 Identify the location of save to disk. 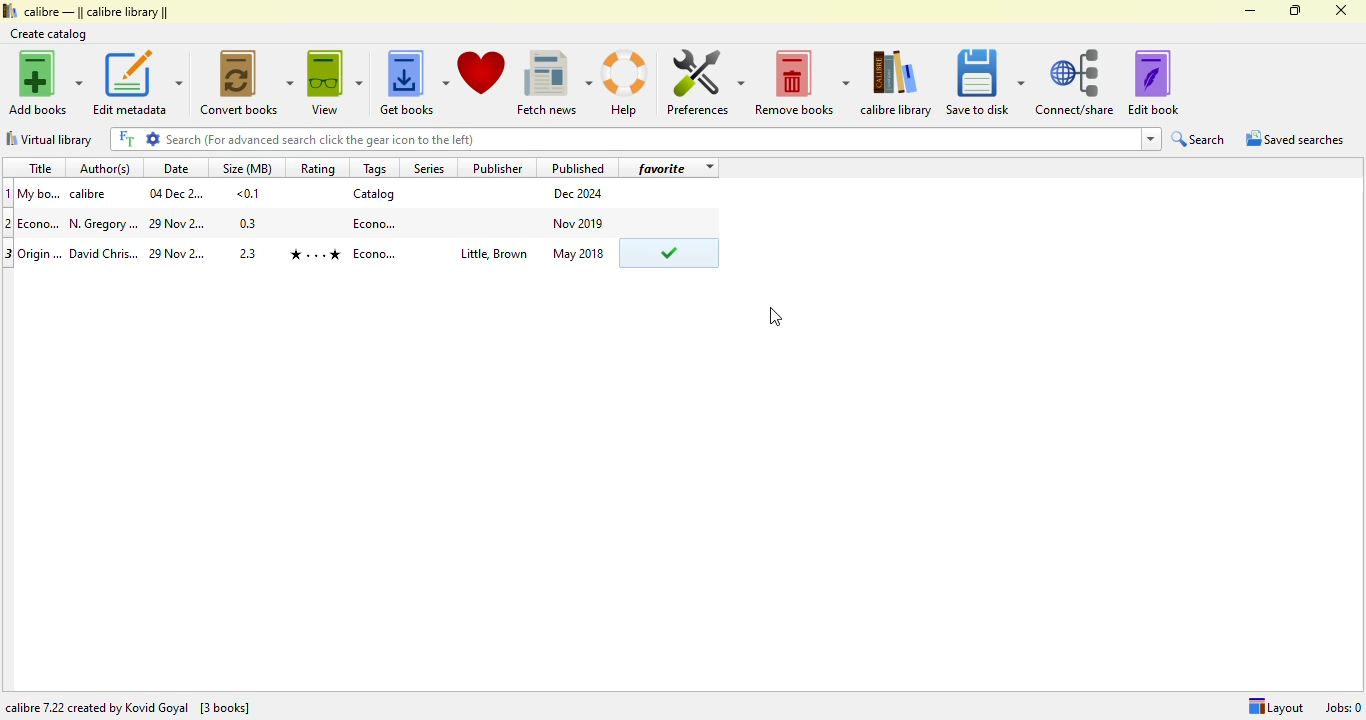
(985, 83).